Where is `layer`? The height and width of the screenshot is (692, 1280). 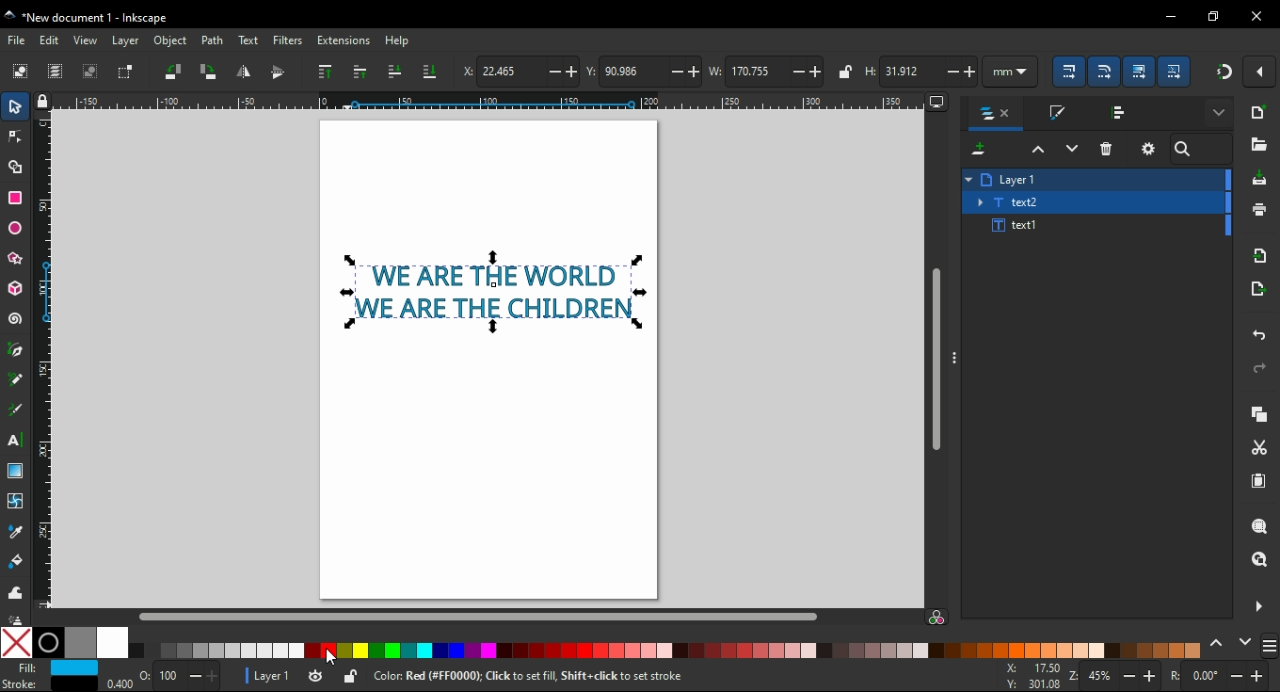
layer is located at coordinates (126, 41).